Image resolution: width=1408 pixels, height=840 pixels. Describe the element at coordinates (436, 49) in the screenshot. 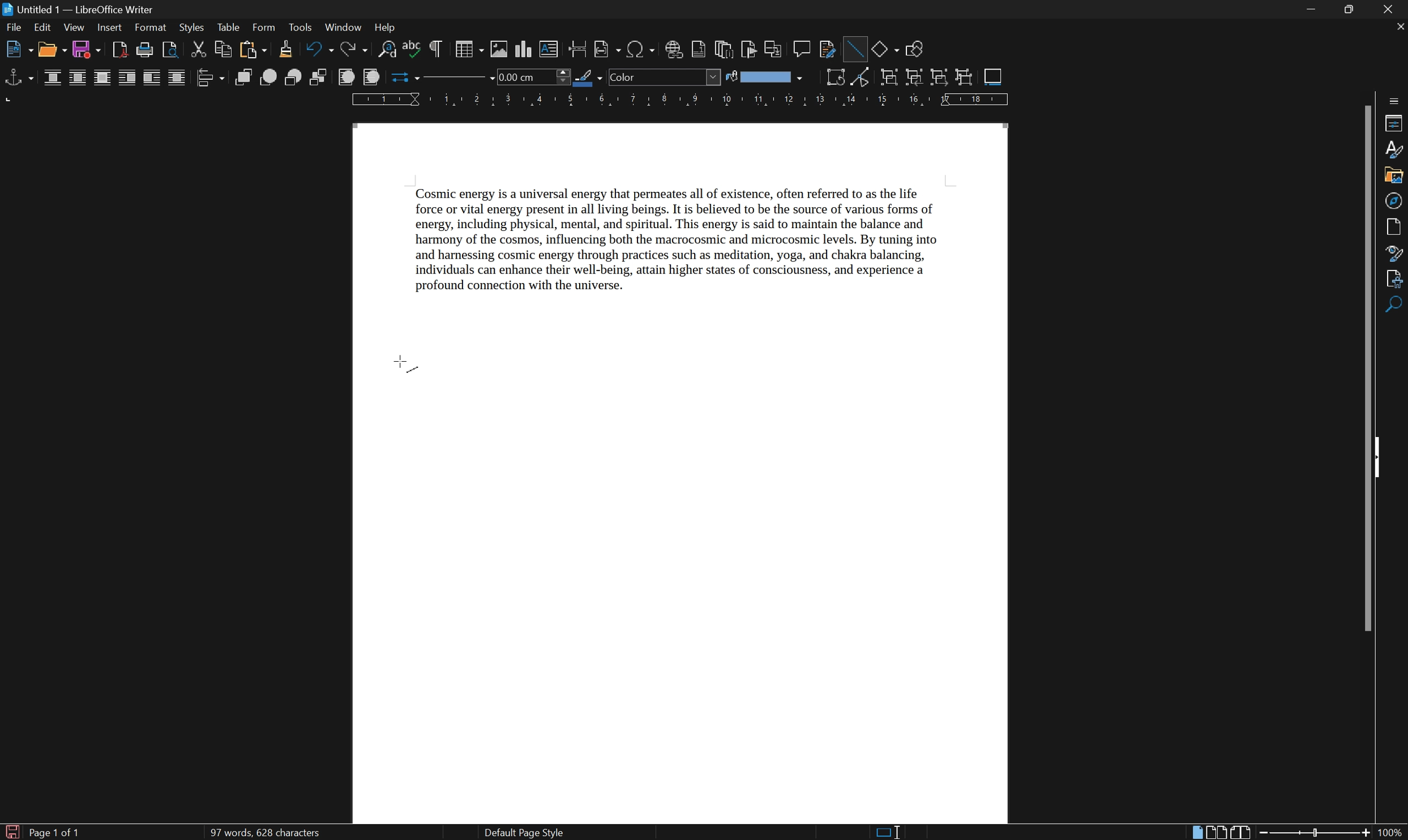

I see `toggle formatting marks` at that location.